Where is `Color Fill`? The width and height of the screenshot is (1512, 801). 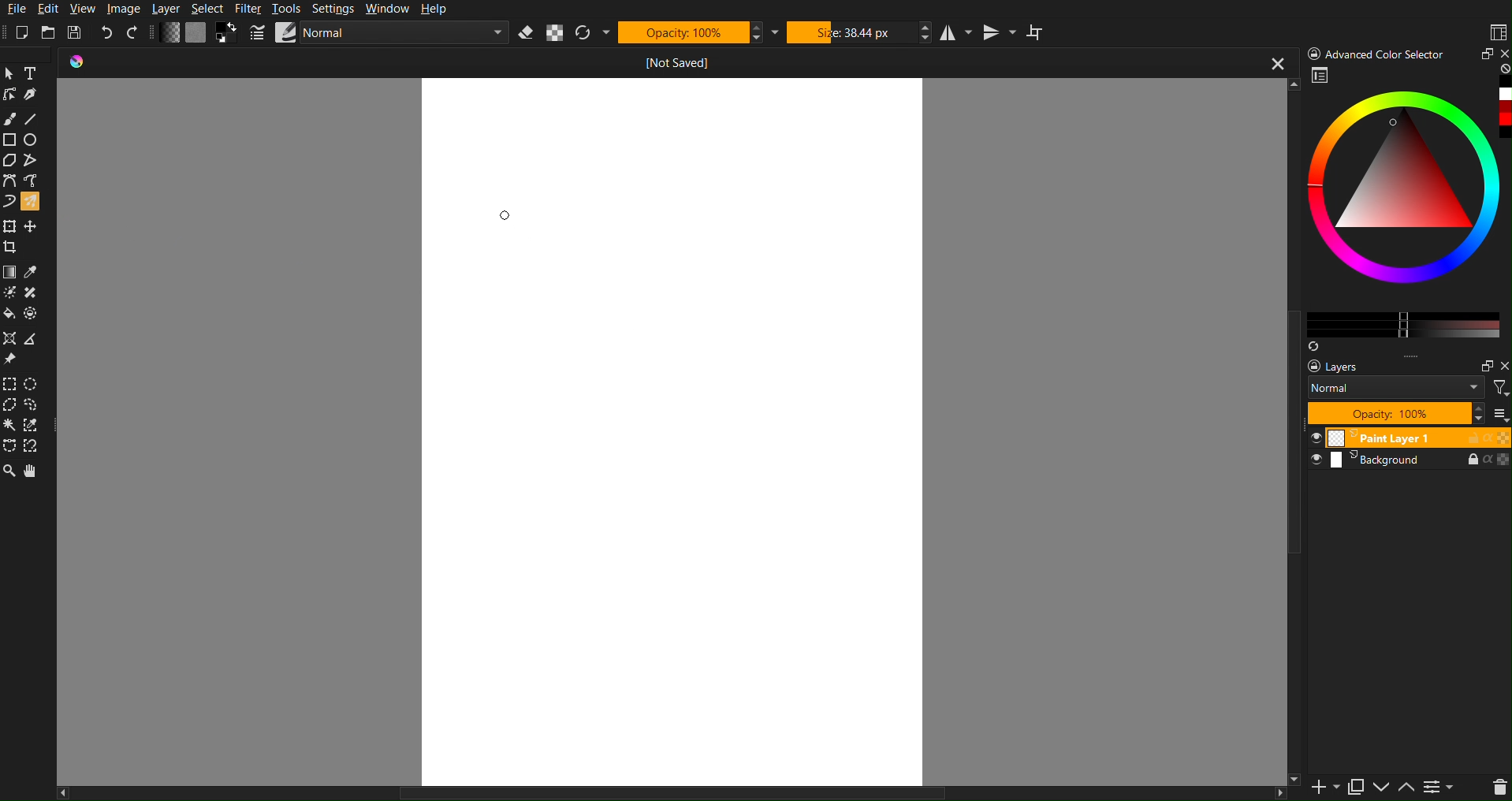 Color Fill is located at coordinates (11, 317).